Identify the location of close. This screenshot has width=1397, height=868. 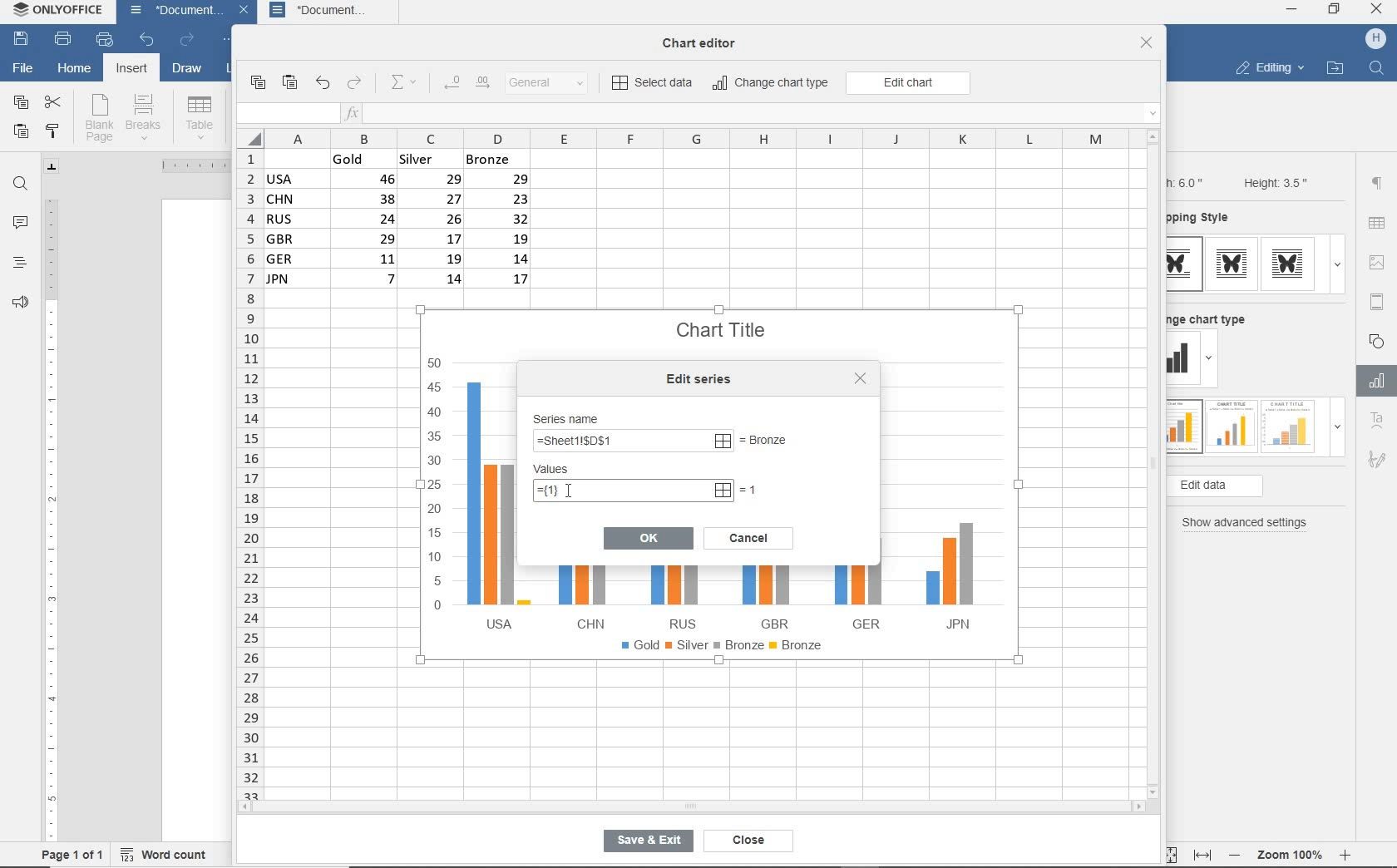
(744, 841).